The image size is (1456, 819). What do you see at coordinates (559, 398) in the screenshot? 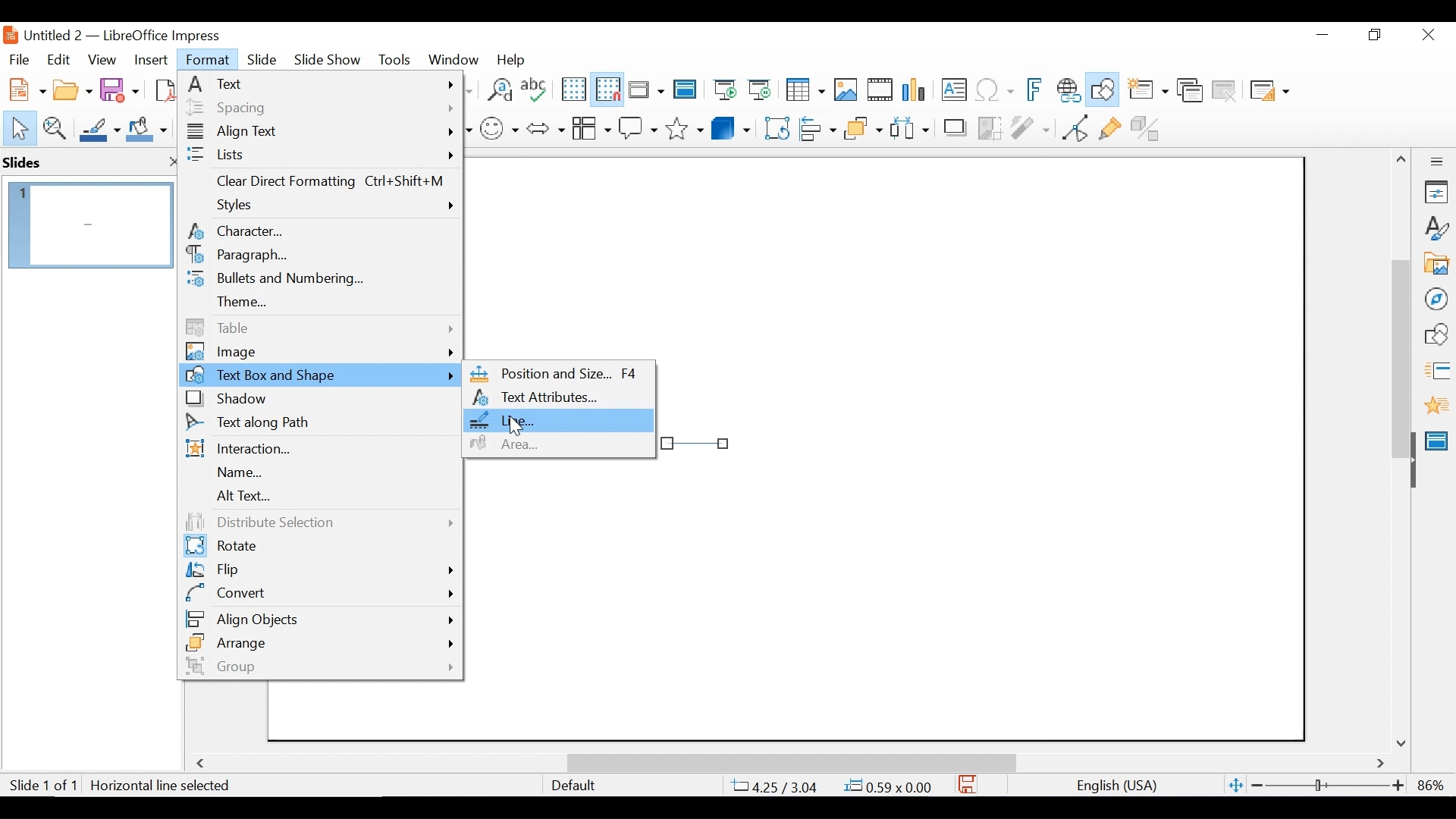
I see `Text and Attribute` at bounding box center [559, 398].